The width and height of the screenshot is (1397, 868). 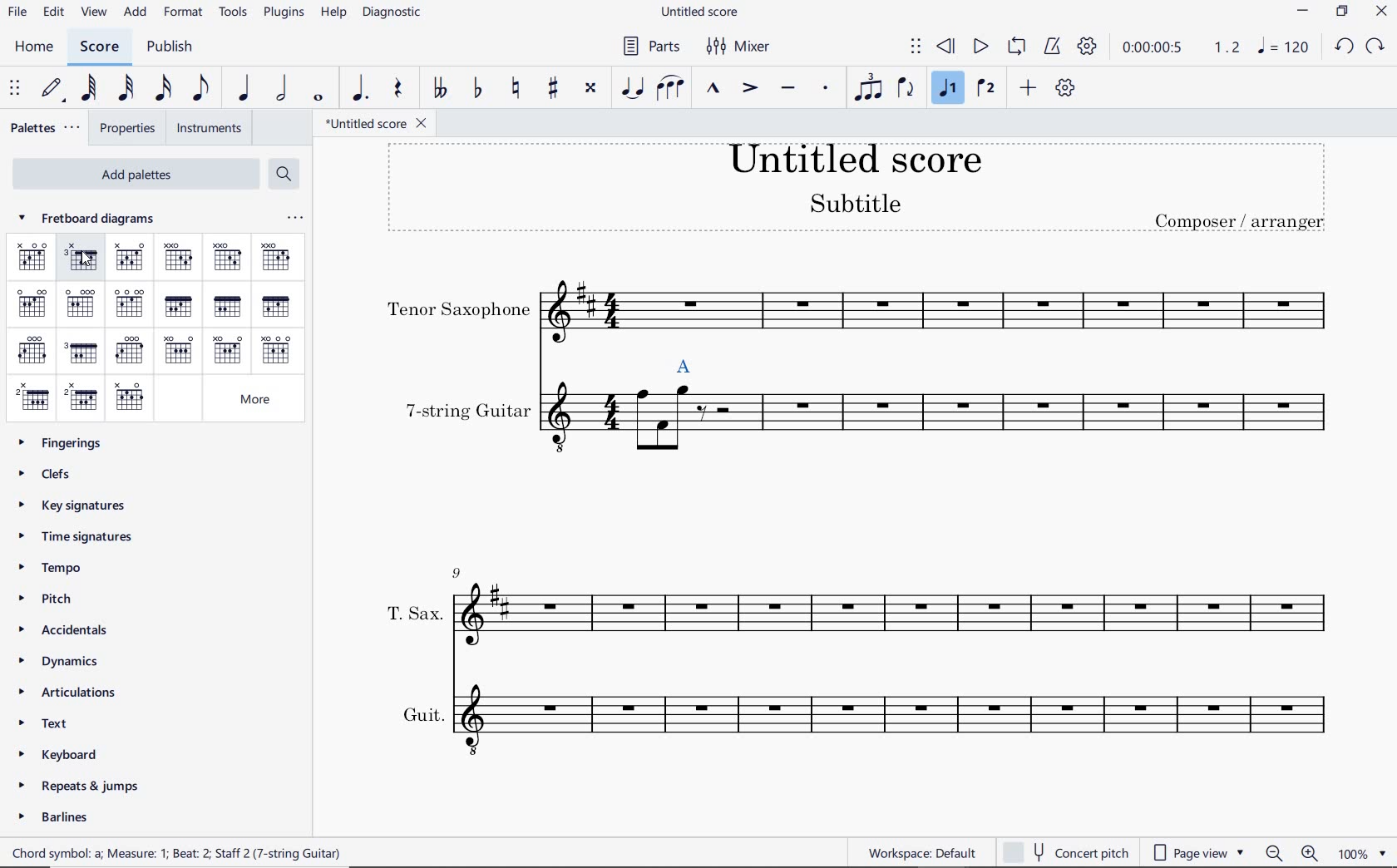 What do you see at coordinates (438, 86) in the screenshot?
I see `TOGGLE-DOUBLE FLAT` at bounding box center [438, 86].